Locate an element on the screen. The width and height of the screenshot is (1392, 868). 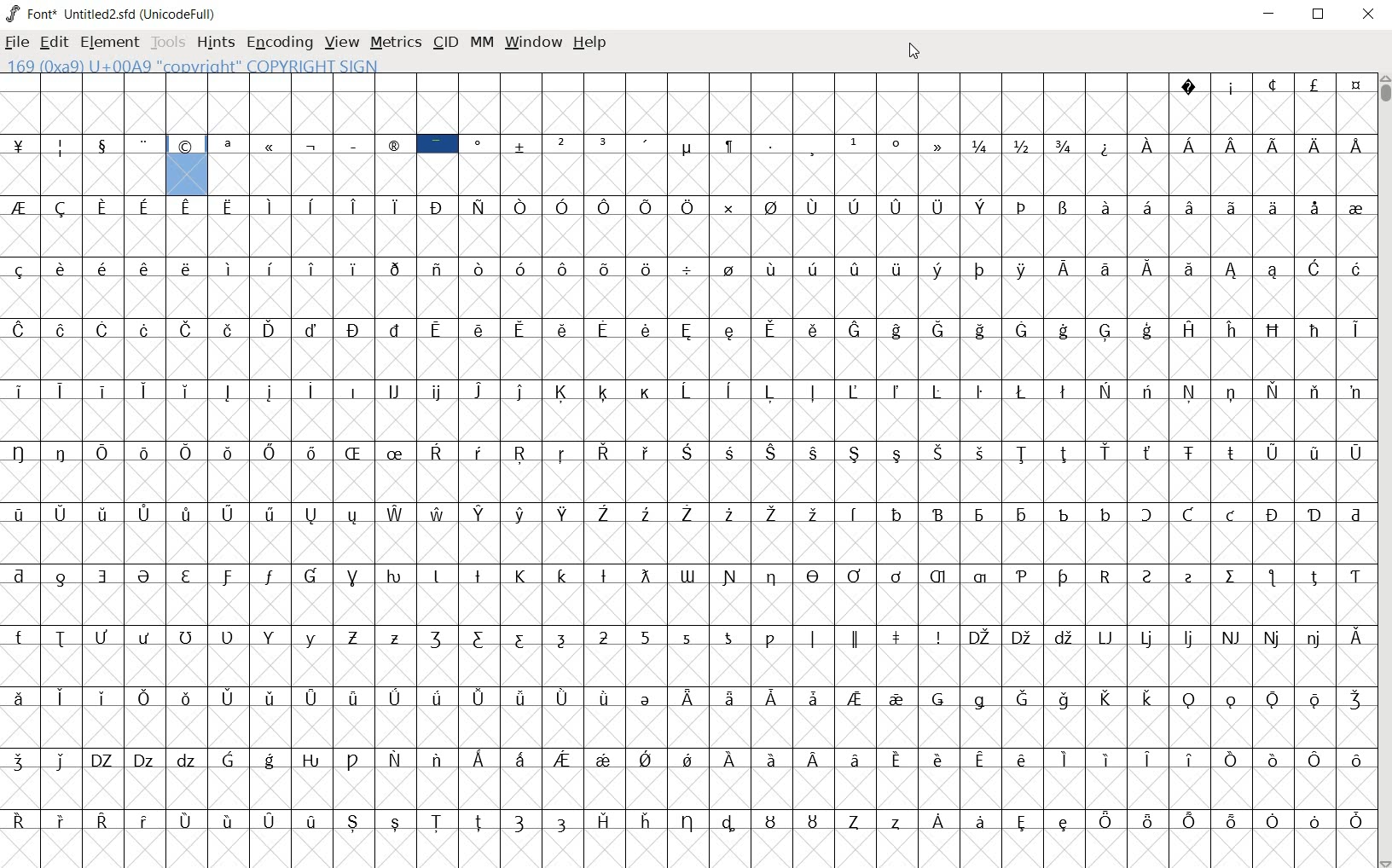
element is located at coordinates (109, 42).